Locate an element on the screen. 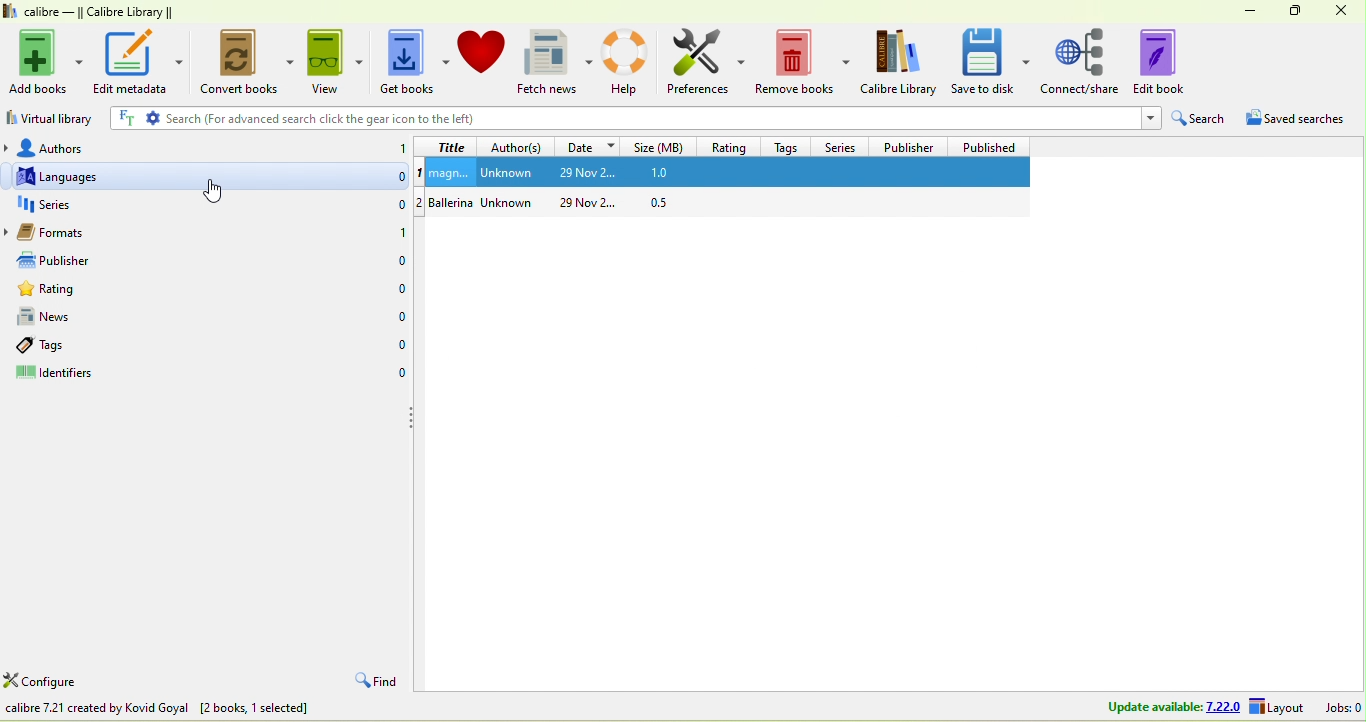 This screenshot has height=722, width=1366. update available 7.22.0 is located at coordinates (1171, 707).